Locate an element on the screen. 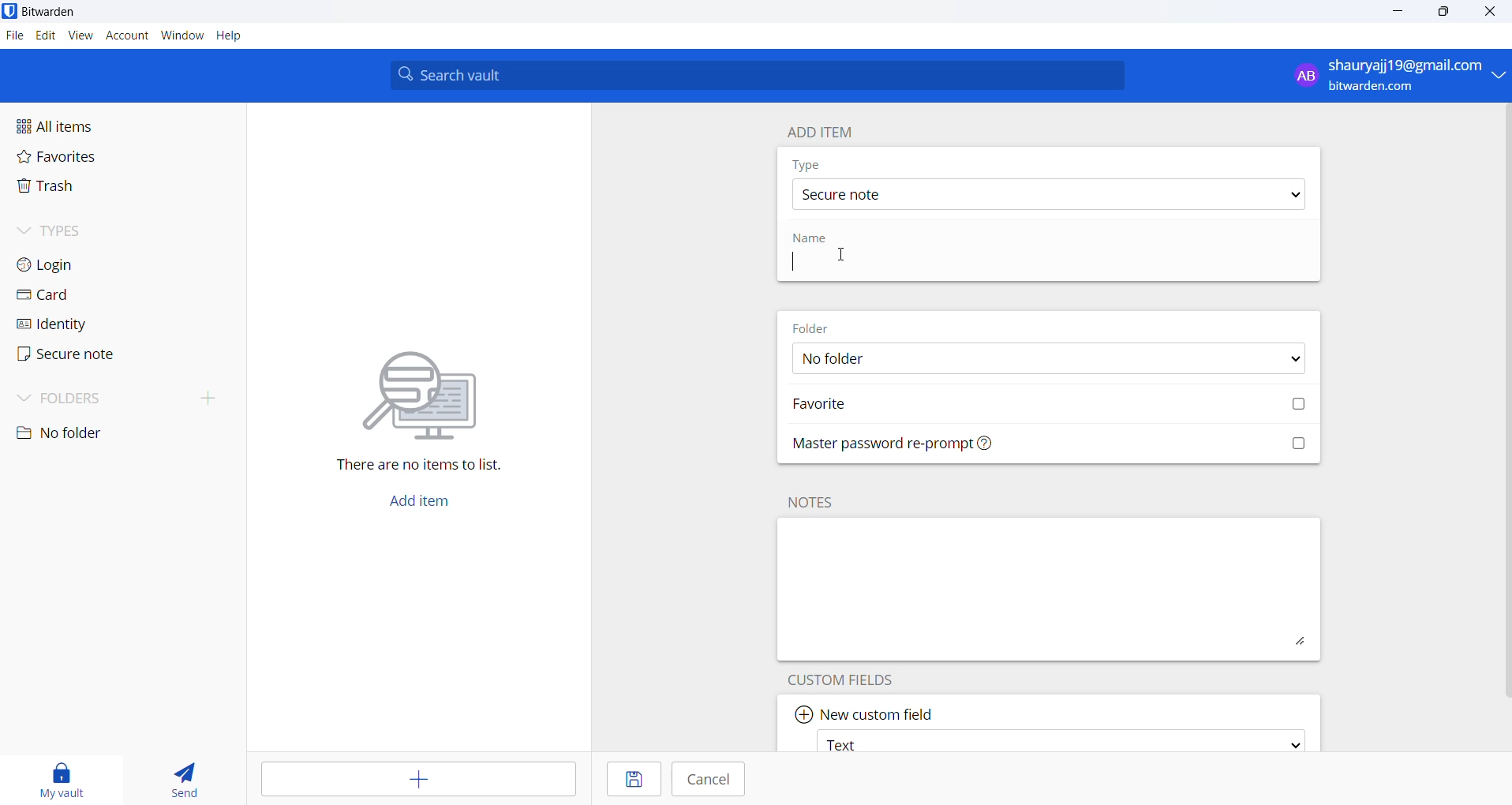 This screenshot has width=1512, height=805. favorites is located at coordinates (80, 159).